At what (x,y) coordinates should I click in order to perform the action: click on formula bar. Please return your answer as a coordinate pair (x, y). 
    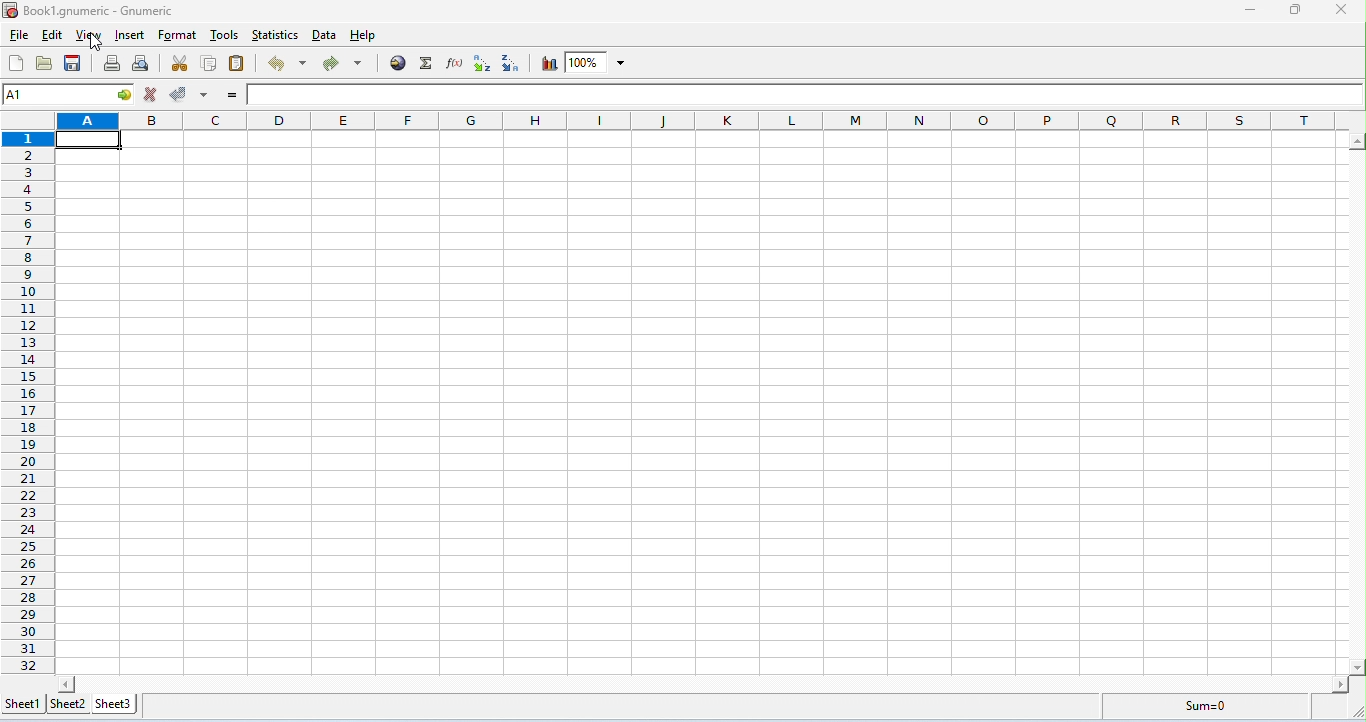
    Looking at the image, I should click on (806, 93).